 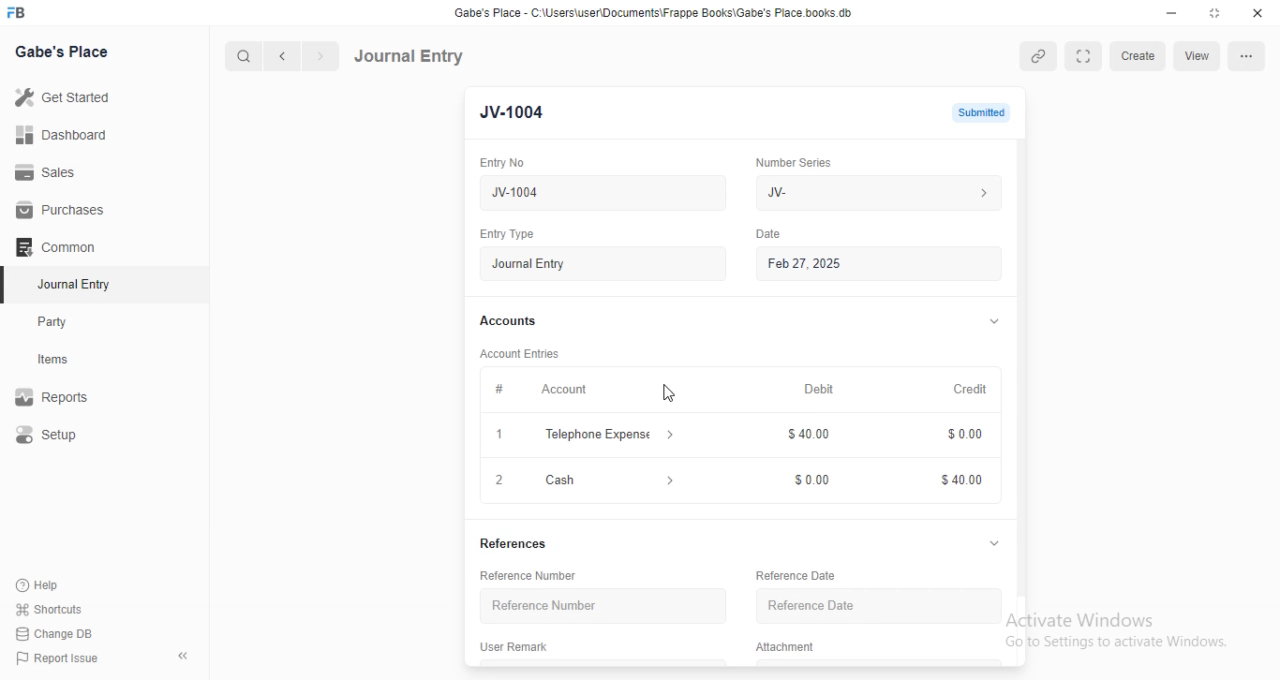 I want to click on Full screen, so click(x=1212, y=13).